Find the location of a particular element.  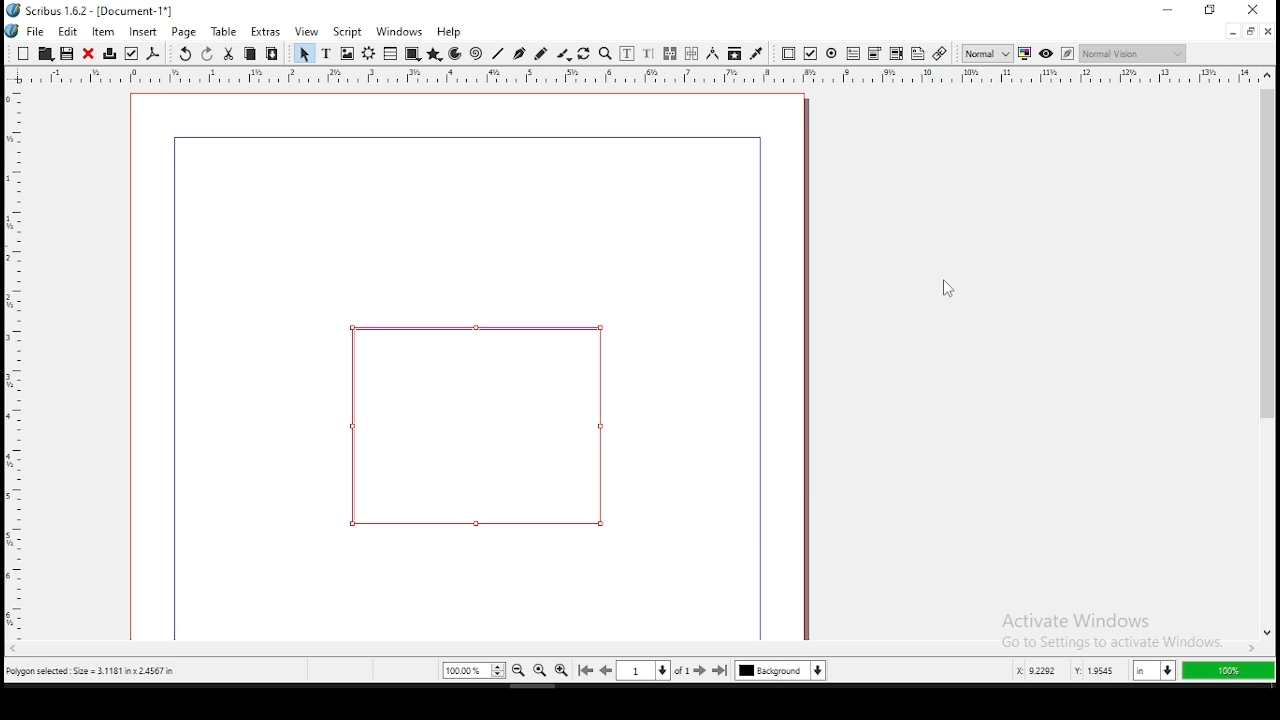

edit in preview mode is located at coordinates (1067, 53).